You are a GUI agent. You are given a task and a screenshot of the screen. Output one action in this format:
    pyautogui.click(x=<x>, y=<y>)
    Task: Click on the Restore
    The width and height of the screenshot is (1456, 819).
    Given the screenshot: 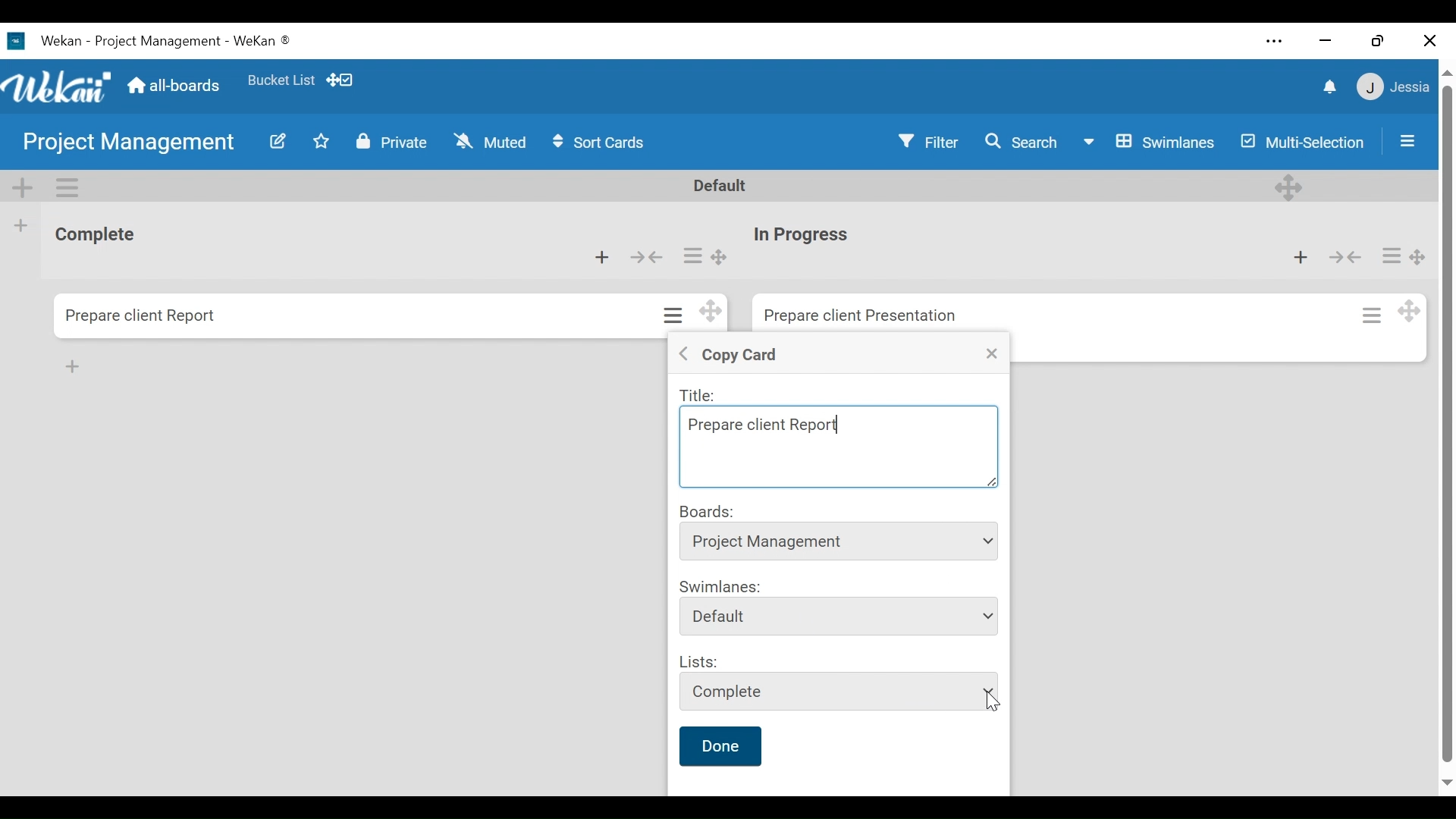 What is the action you would take?
    pyautogui.click(x=1380, y=39)
    